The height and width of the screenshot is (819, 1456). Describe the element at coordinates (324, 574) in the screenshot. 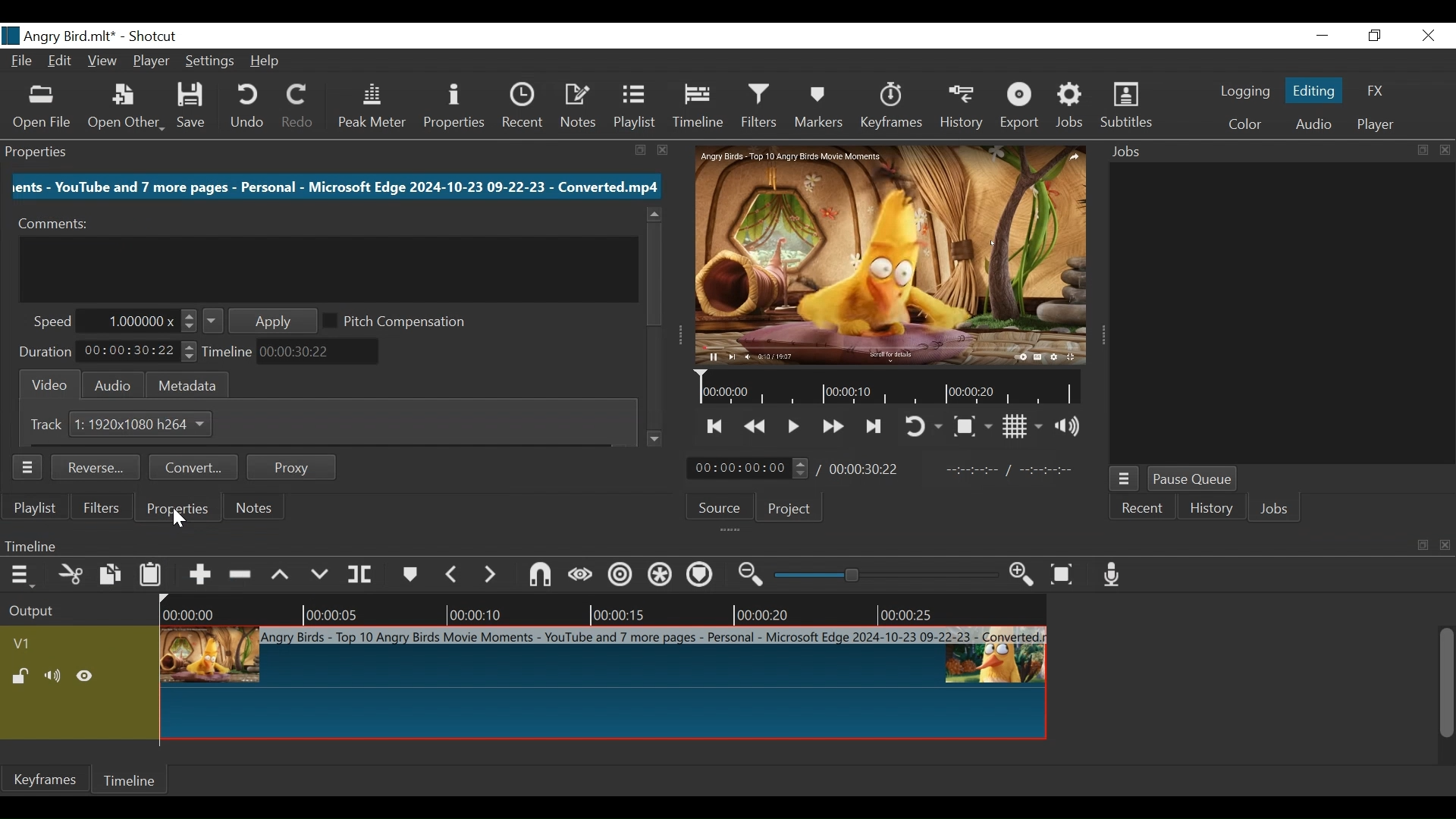

I see `Overwrite` at that location.